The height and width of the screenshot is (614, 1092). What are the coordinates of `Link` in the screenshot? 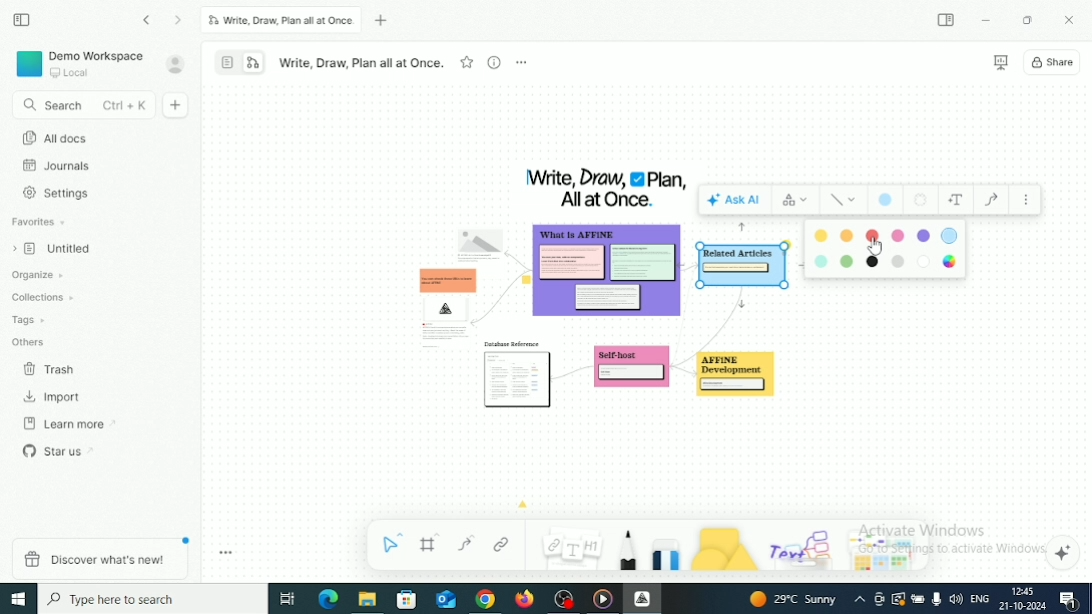 It's located at (502, 544).